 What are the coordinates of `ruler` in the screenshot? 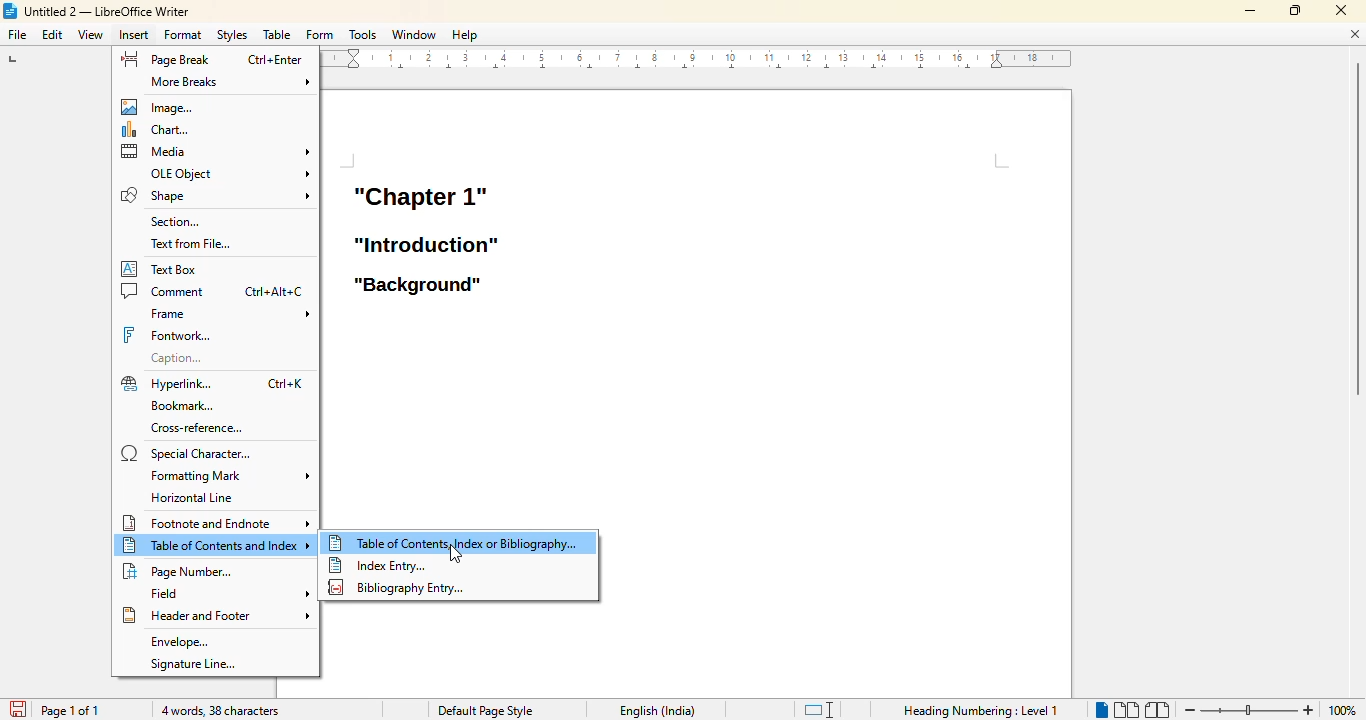 It's located at (697, 59).